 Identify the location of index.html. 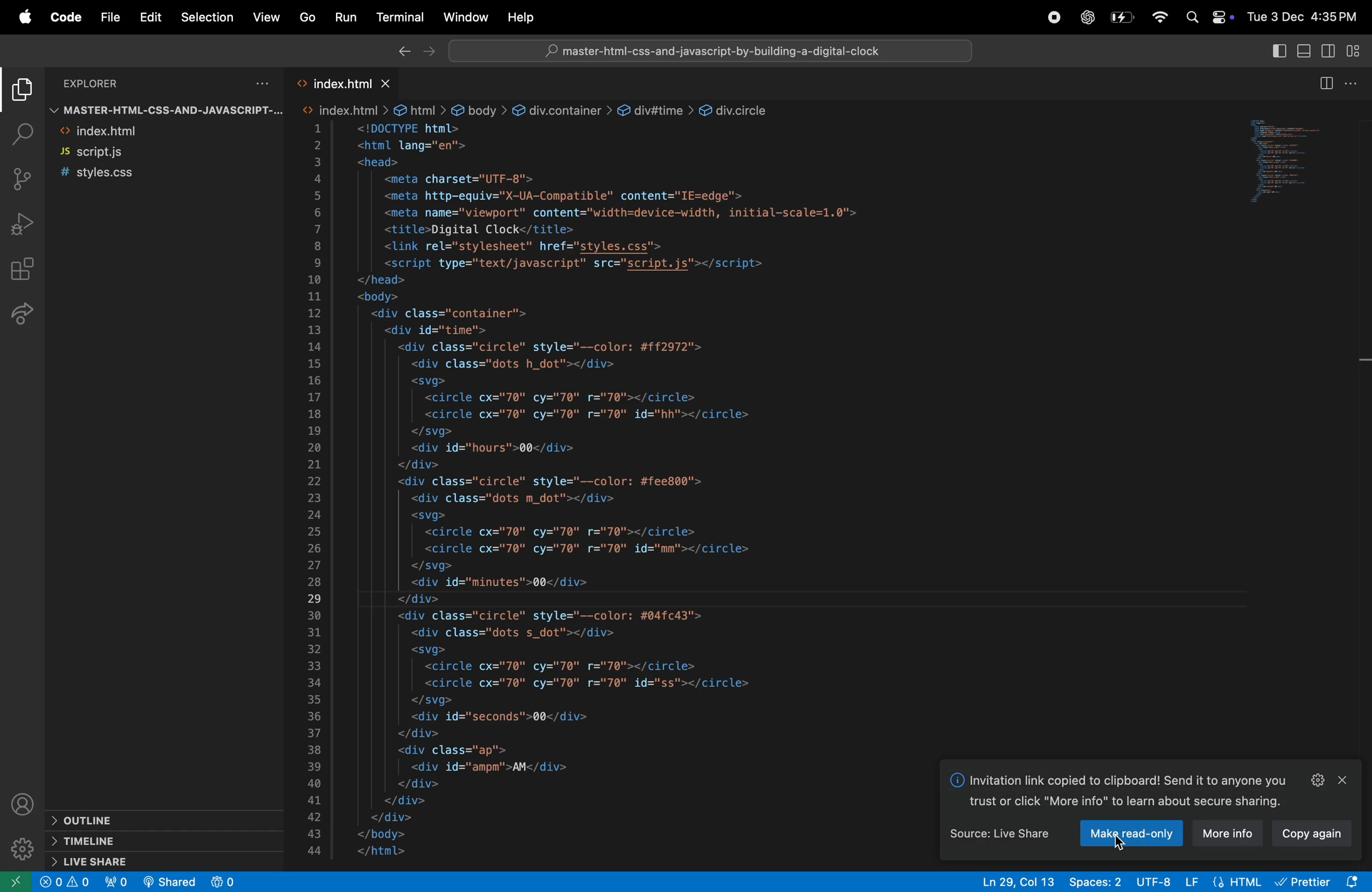
(339, 80).